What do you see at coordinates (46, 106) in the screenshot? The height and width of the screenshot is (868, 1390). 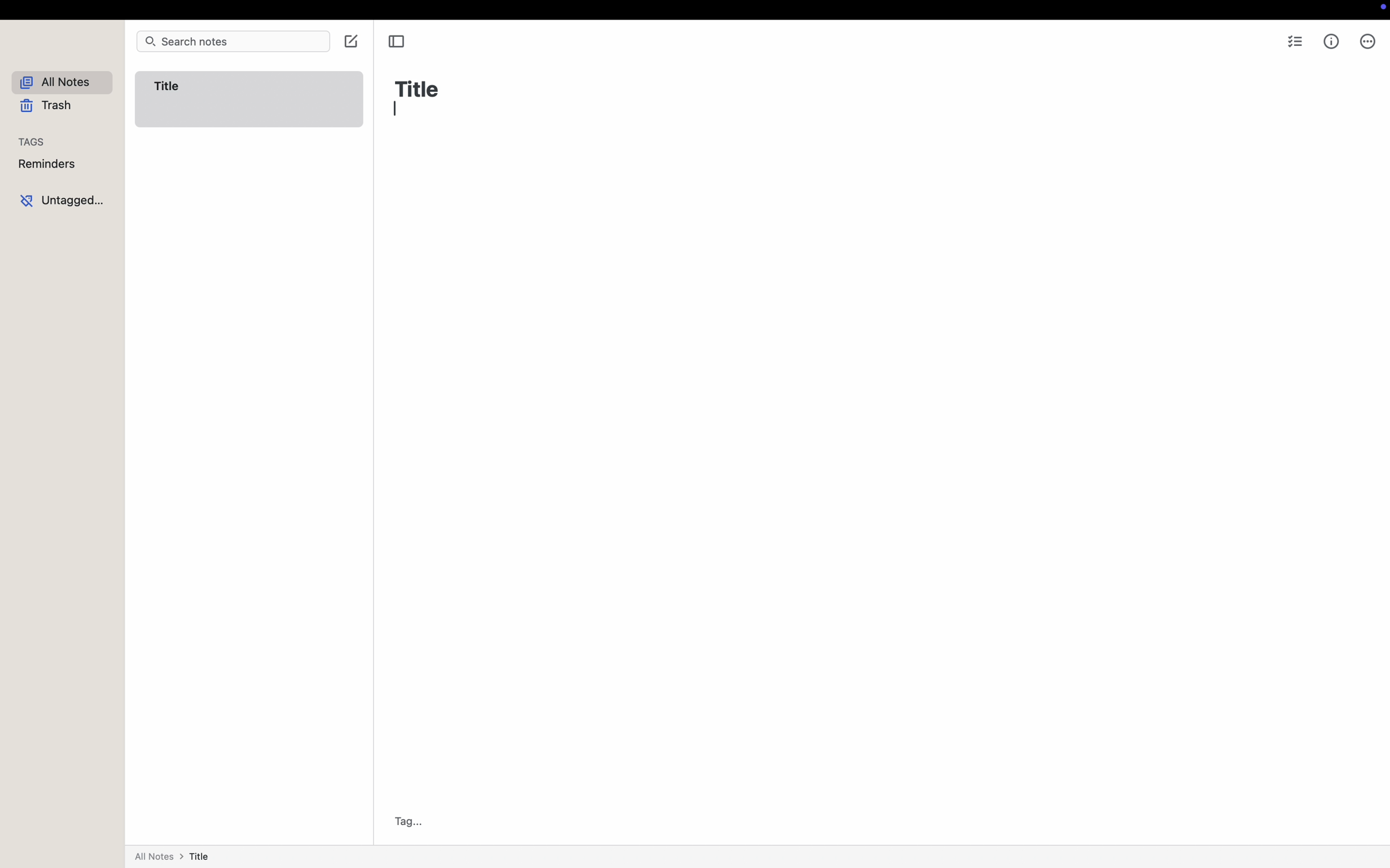 I see `trash` at bounding box center [46, 106].